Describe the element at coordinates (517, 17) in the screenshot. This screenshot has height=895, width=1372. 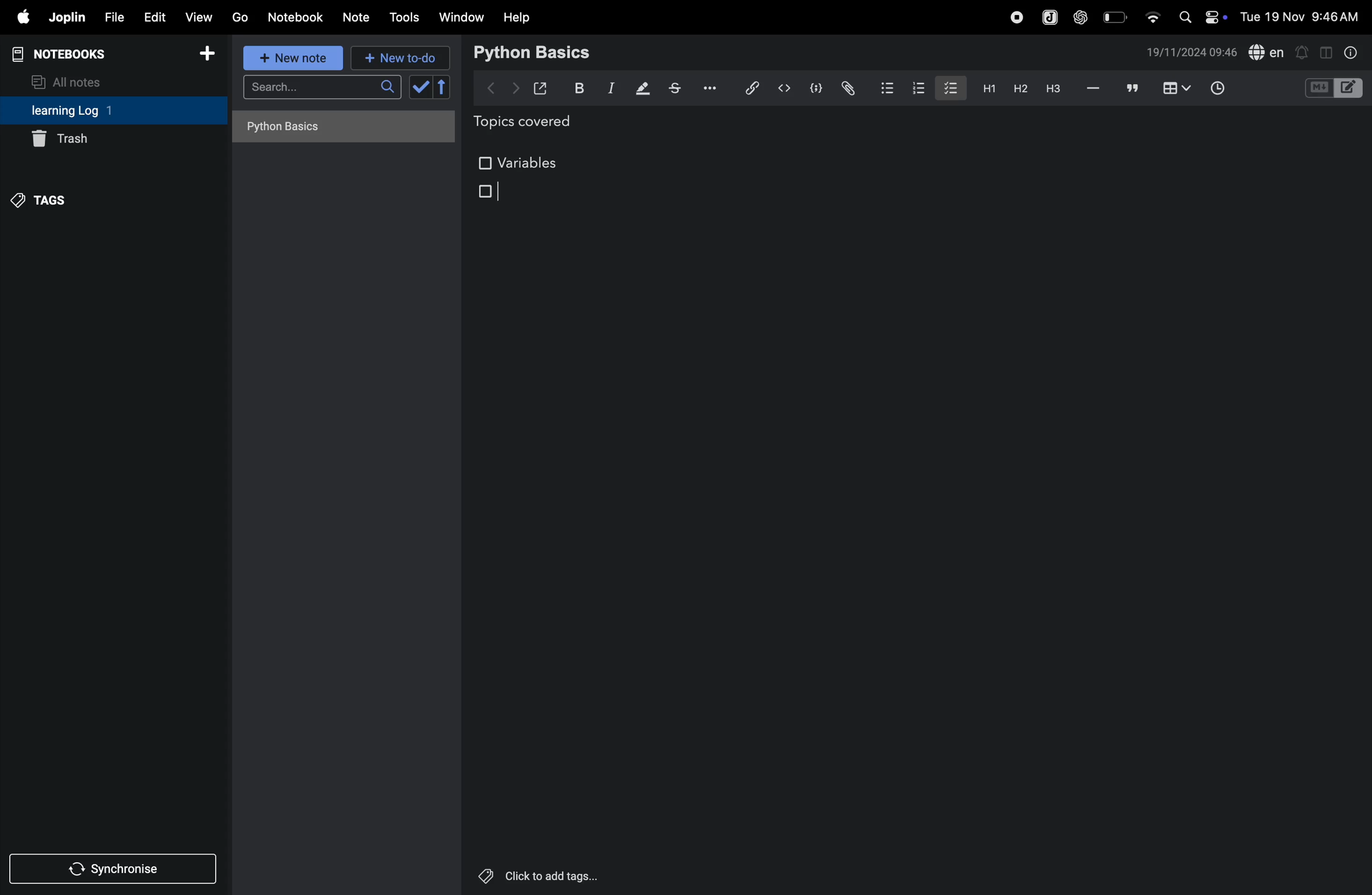
I see `help` at that location.